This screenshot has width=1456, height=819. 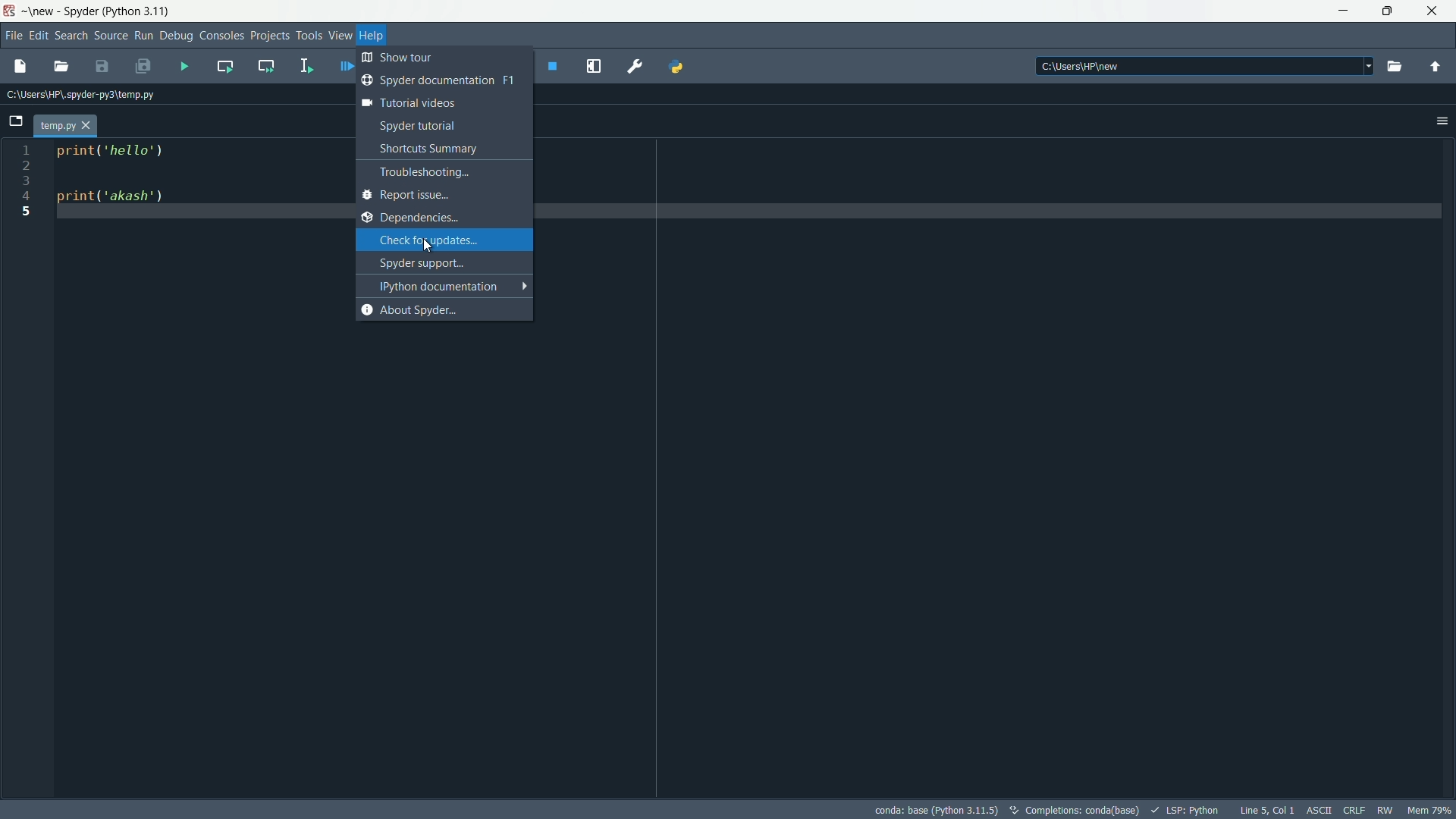 I want to click on dependencies, so click(x=438, y=218).